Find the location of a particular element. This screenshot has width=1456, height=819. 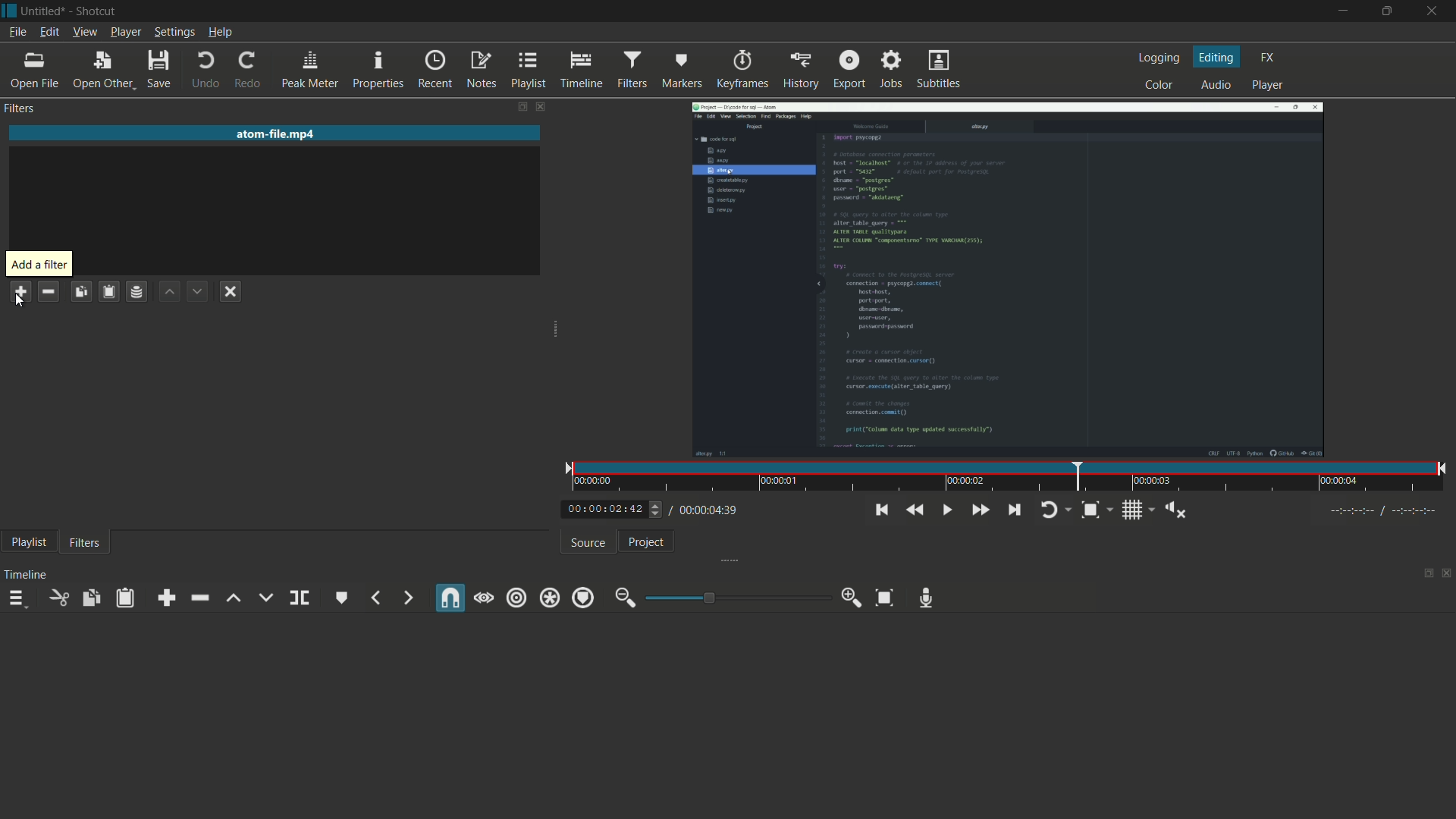

maximize is located at coordinates (1385, 11).